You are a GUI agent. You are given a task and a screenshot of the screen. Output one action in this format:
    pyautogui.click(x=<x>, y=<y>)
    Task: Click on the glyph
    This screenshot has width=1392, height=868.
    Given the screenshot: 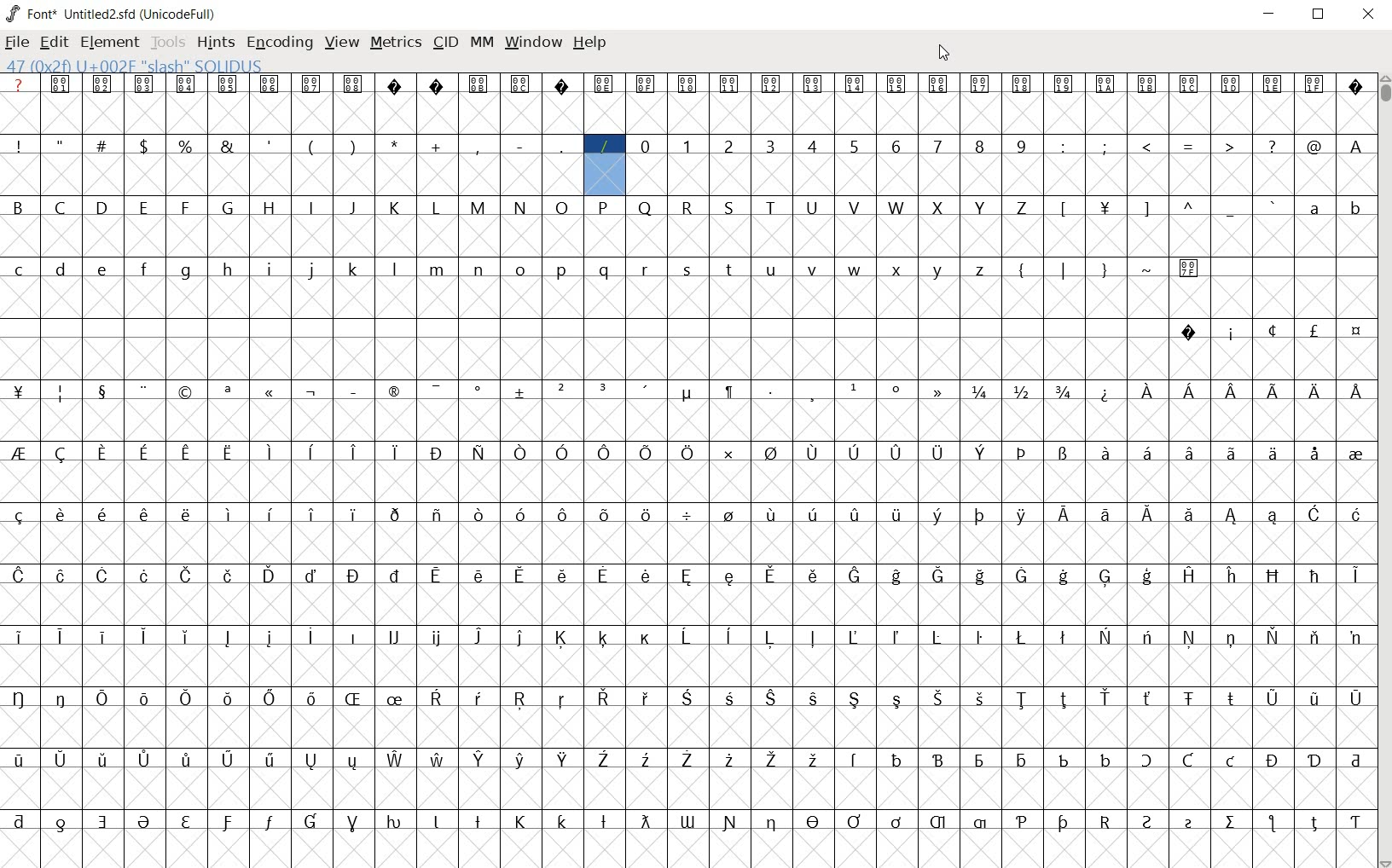 What is the action you would take?
    pyautogui.click(x=1232, y=698)
    